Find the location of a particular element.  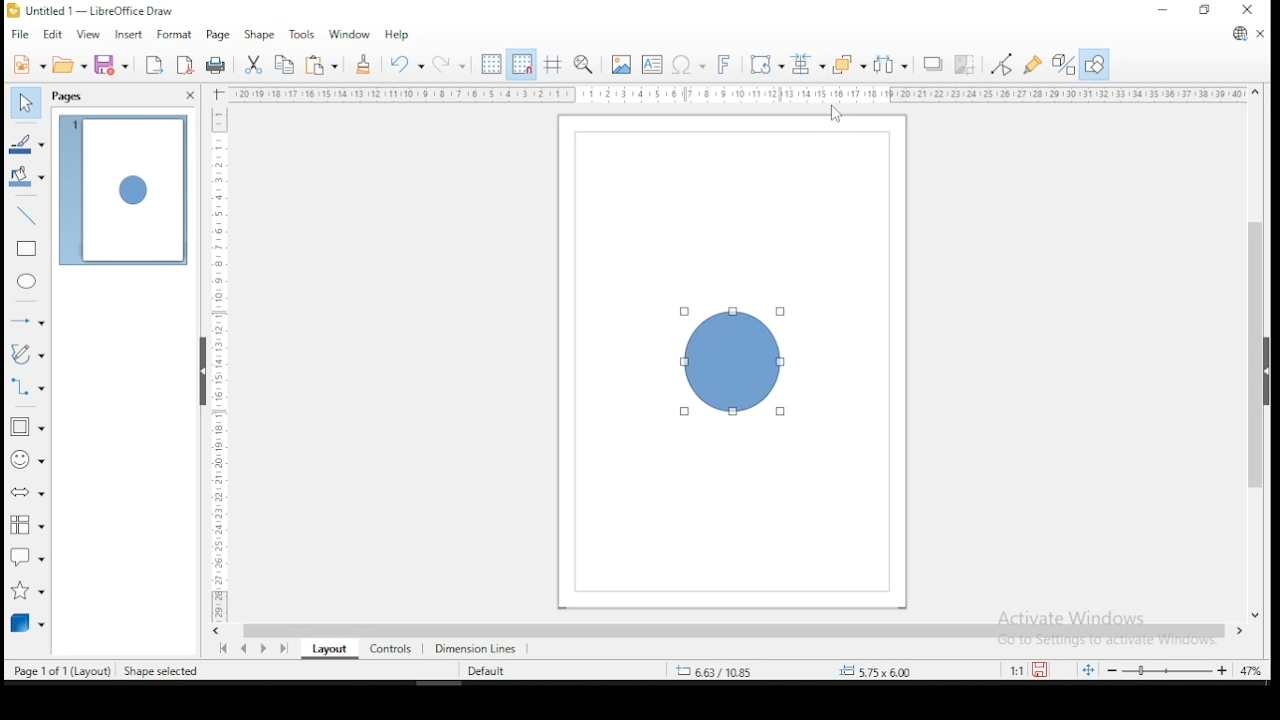

ellipse is located at coordinates (28, 281).